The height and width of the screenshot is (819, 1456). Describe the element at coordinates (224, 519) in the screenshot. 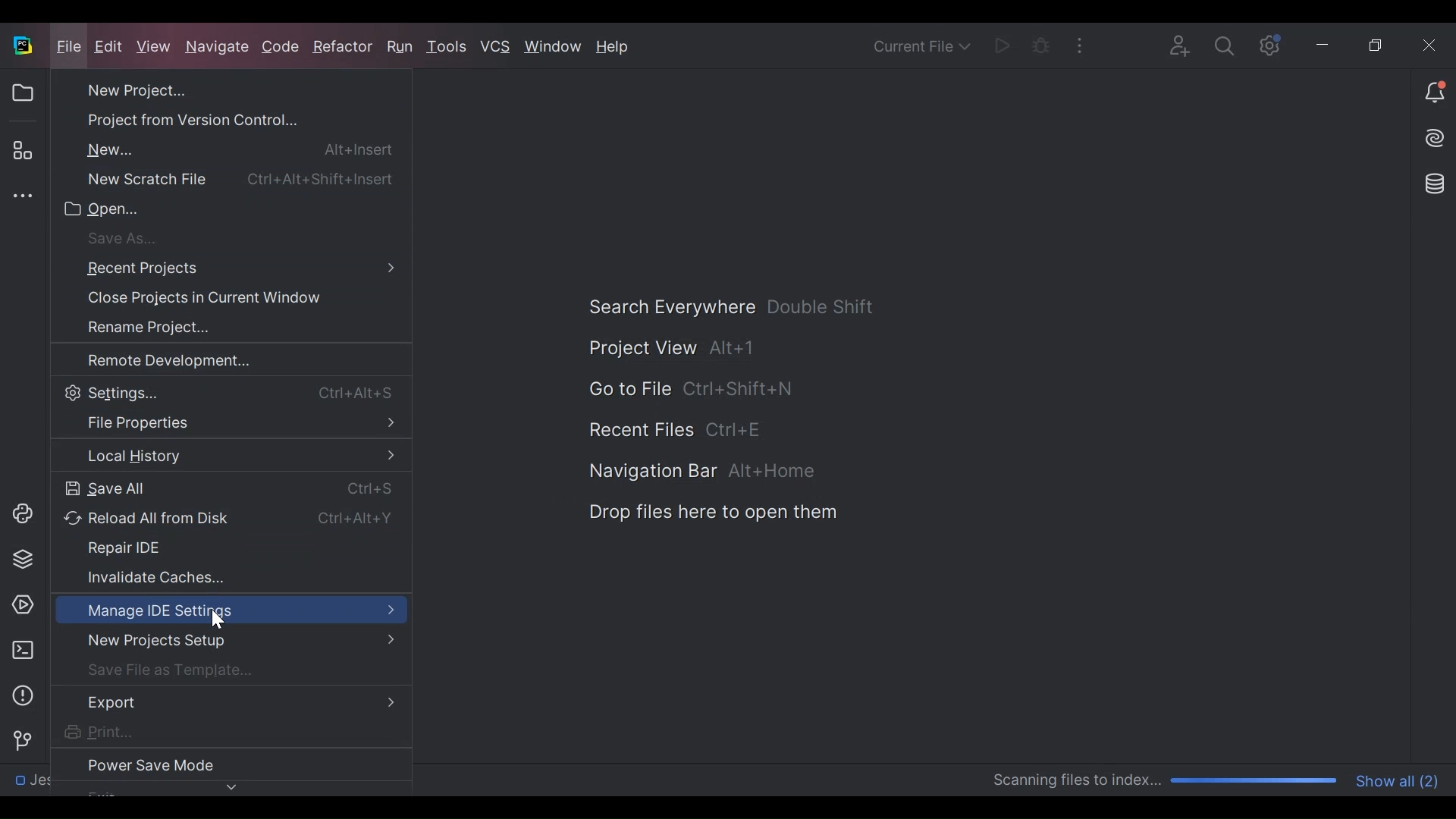

I see `Reload All from Disk` at that location.